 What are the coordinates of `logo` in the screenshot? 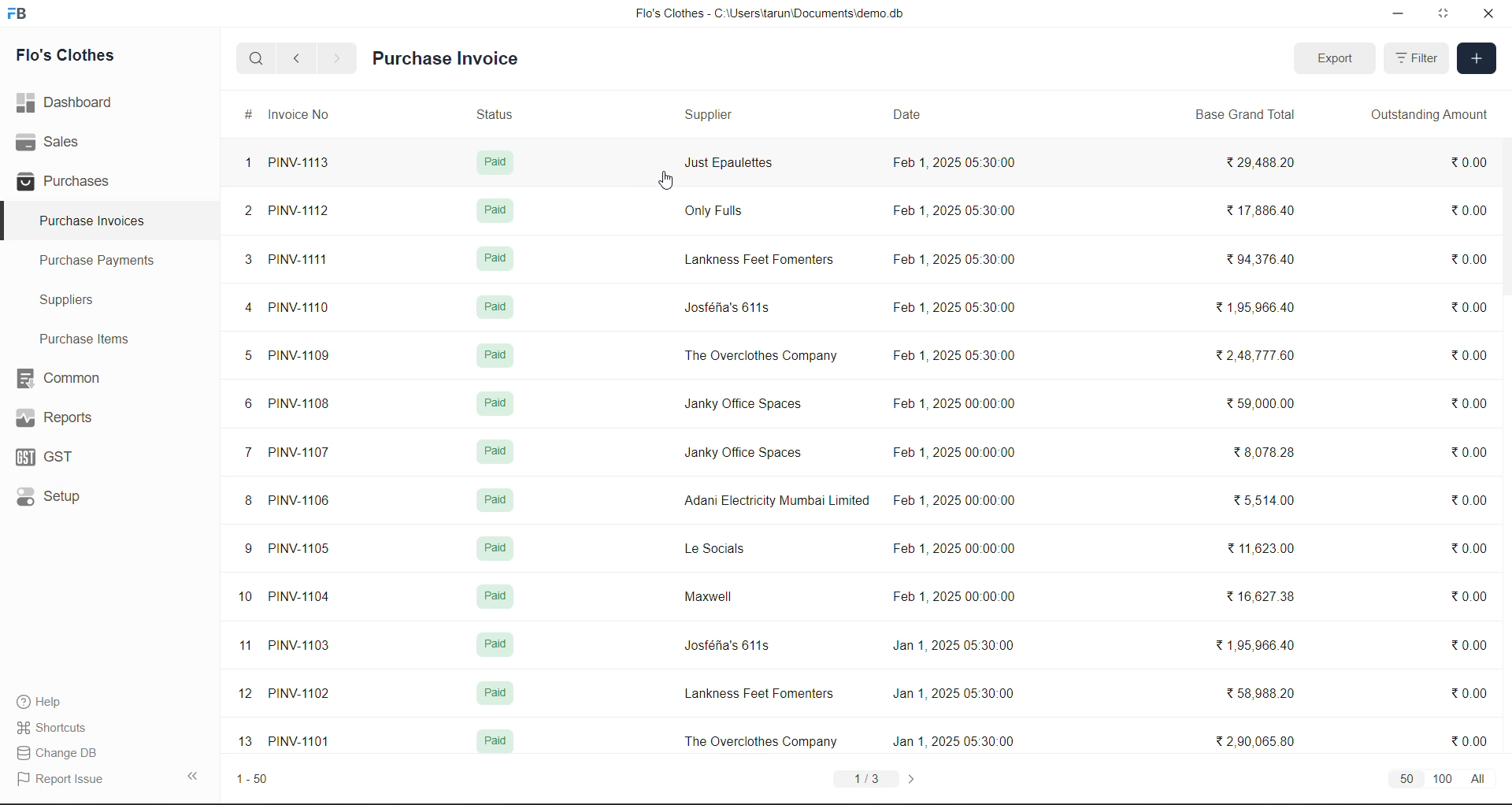 It's located at (20, 15).